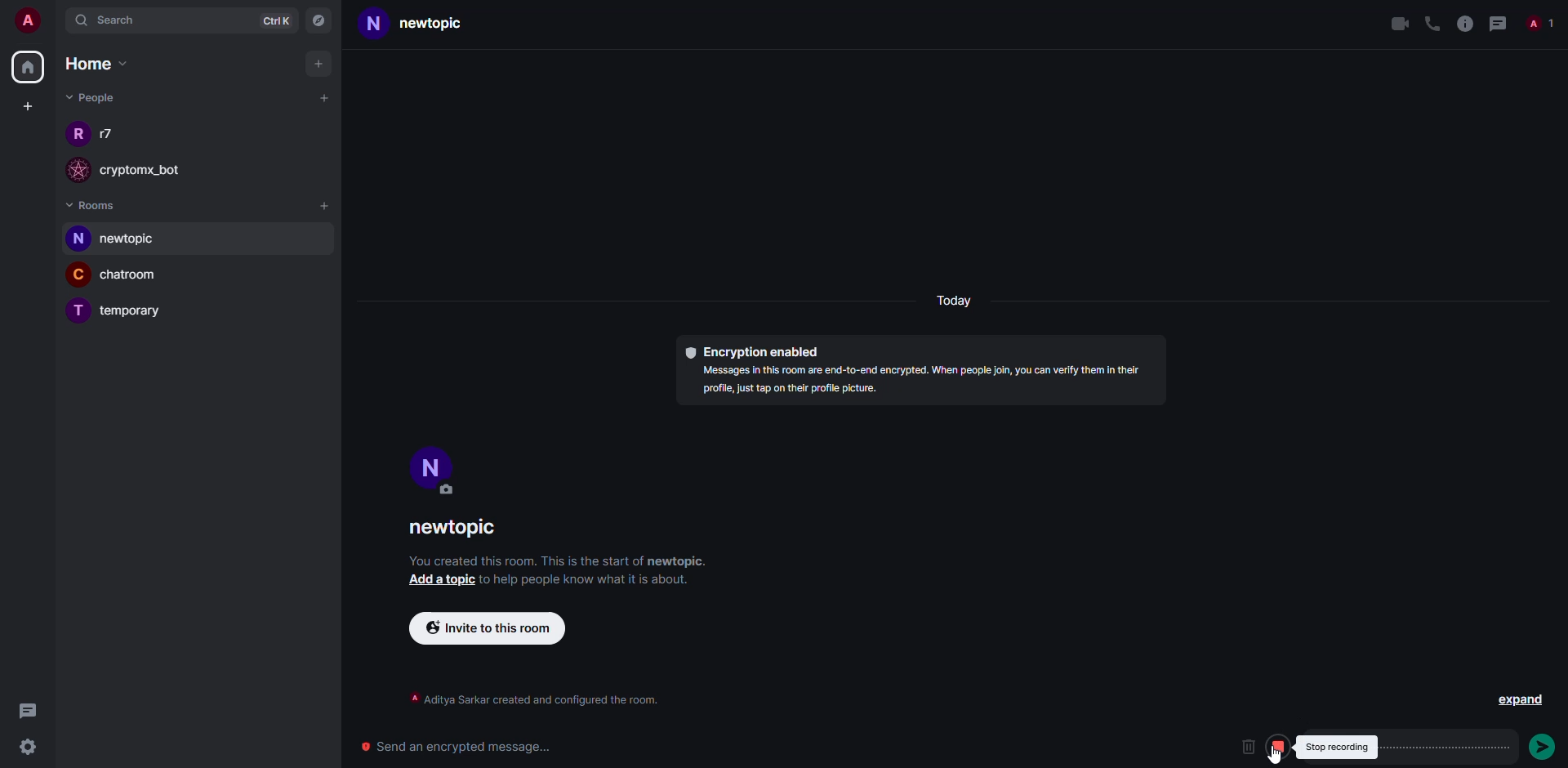 Image resolution: width=1568 pixels, height=768 pixels. Describe the element at coordinates (109, 134) in the screenshot. I see `people` at that location.